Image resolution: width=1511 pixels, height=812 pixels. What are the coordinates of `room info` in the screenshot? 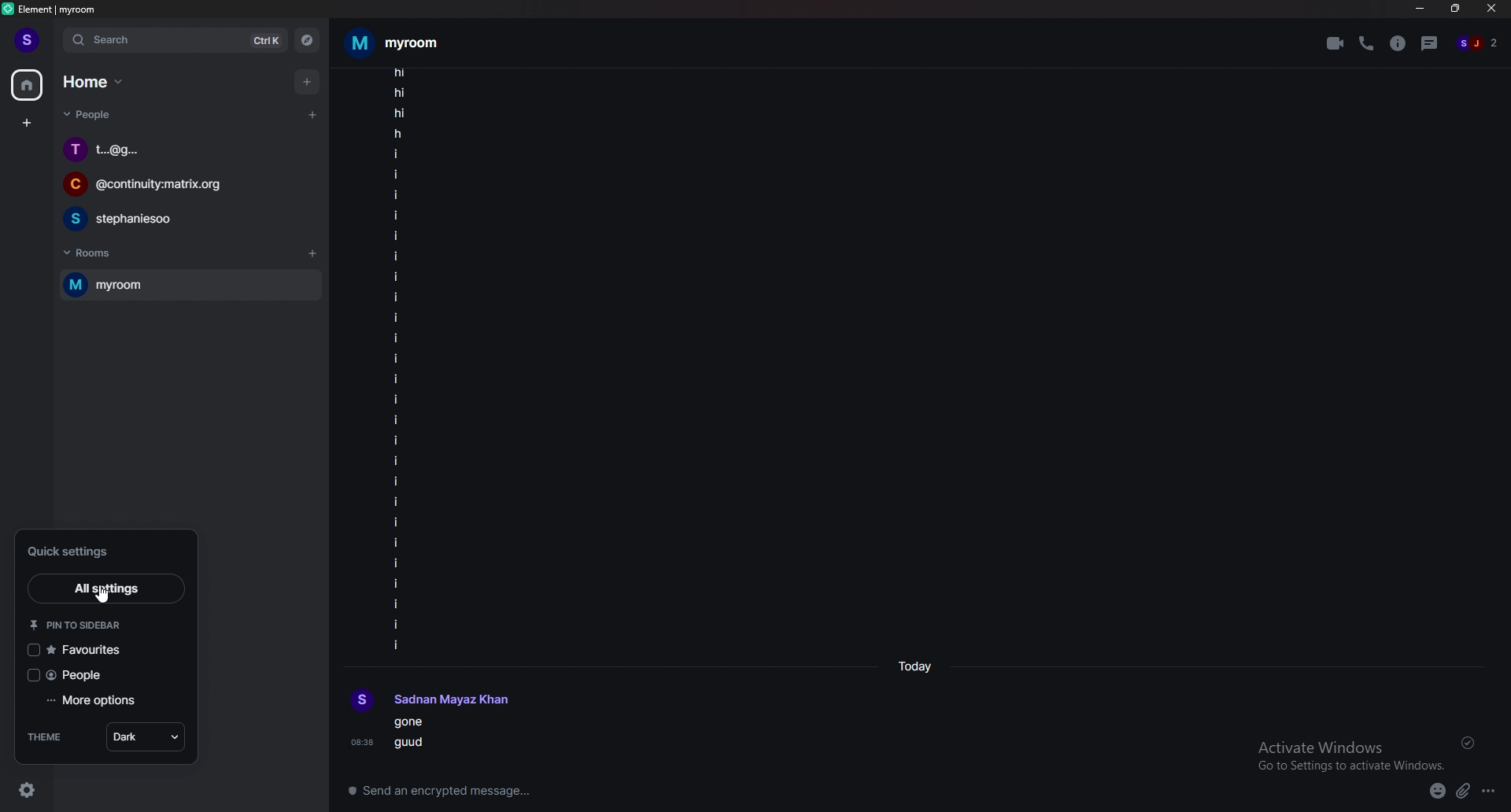 It's located at (1398, 43).